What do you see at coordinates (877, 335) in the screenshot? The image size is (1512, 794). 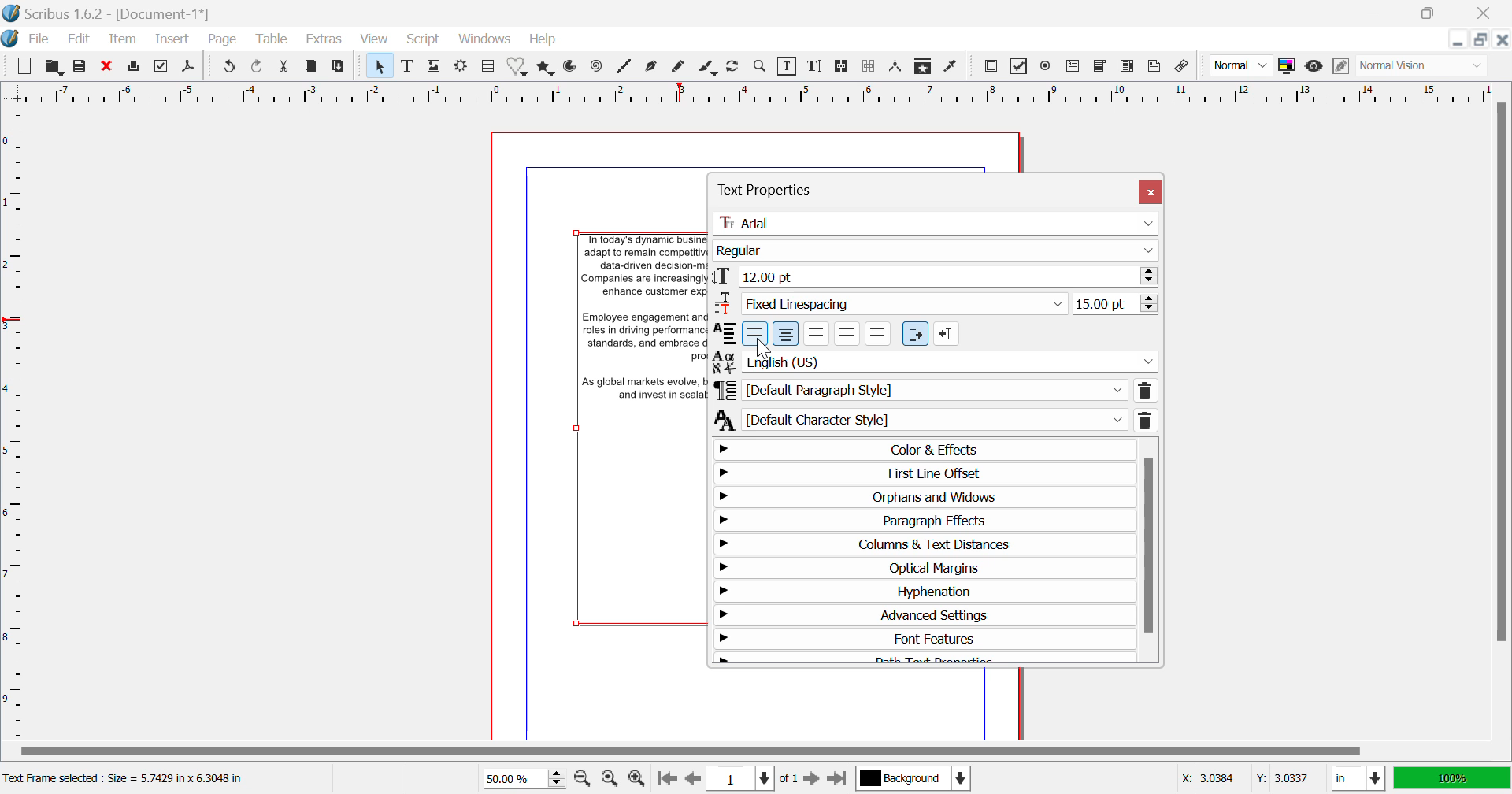 I see `Forced Justified` at bounding box center [877, 335].